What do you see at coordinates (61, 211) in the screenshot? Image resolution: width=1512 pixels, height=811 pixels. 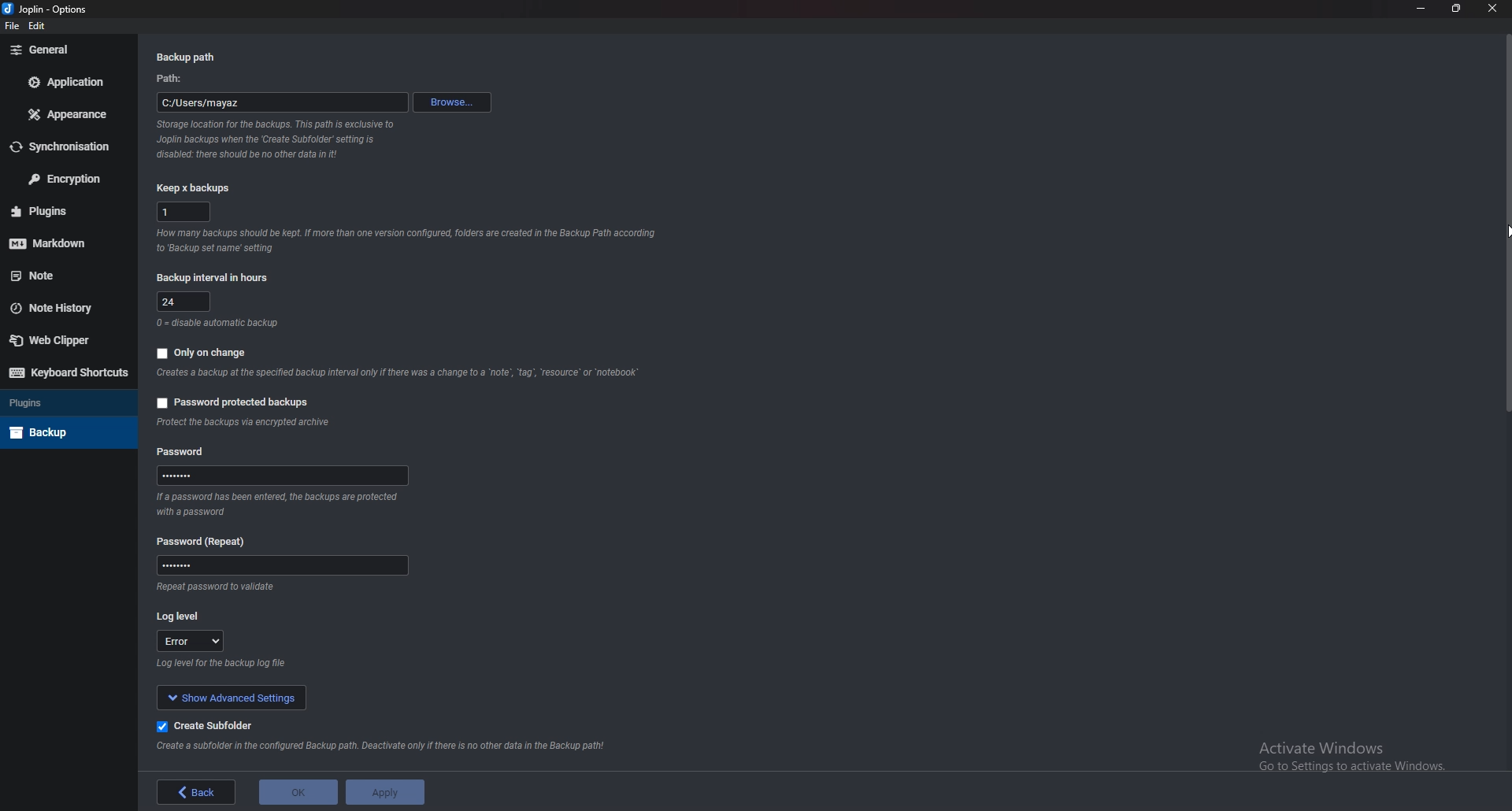 I see `Plugins` at bounding box center [61, 211].